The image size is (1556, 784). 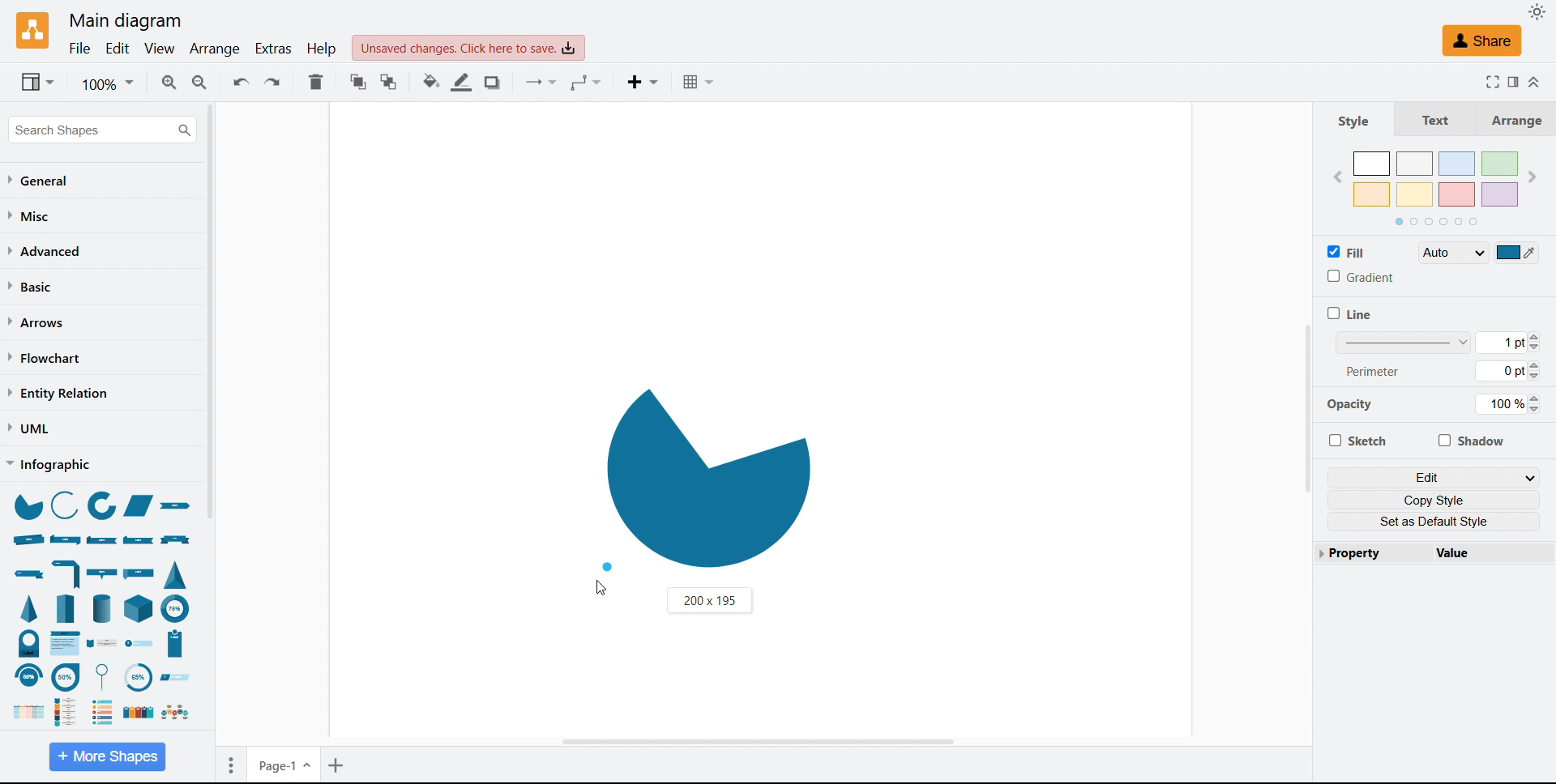 I want to click on Search shapes , so click(x=102, y=130).